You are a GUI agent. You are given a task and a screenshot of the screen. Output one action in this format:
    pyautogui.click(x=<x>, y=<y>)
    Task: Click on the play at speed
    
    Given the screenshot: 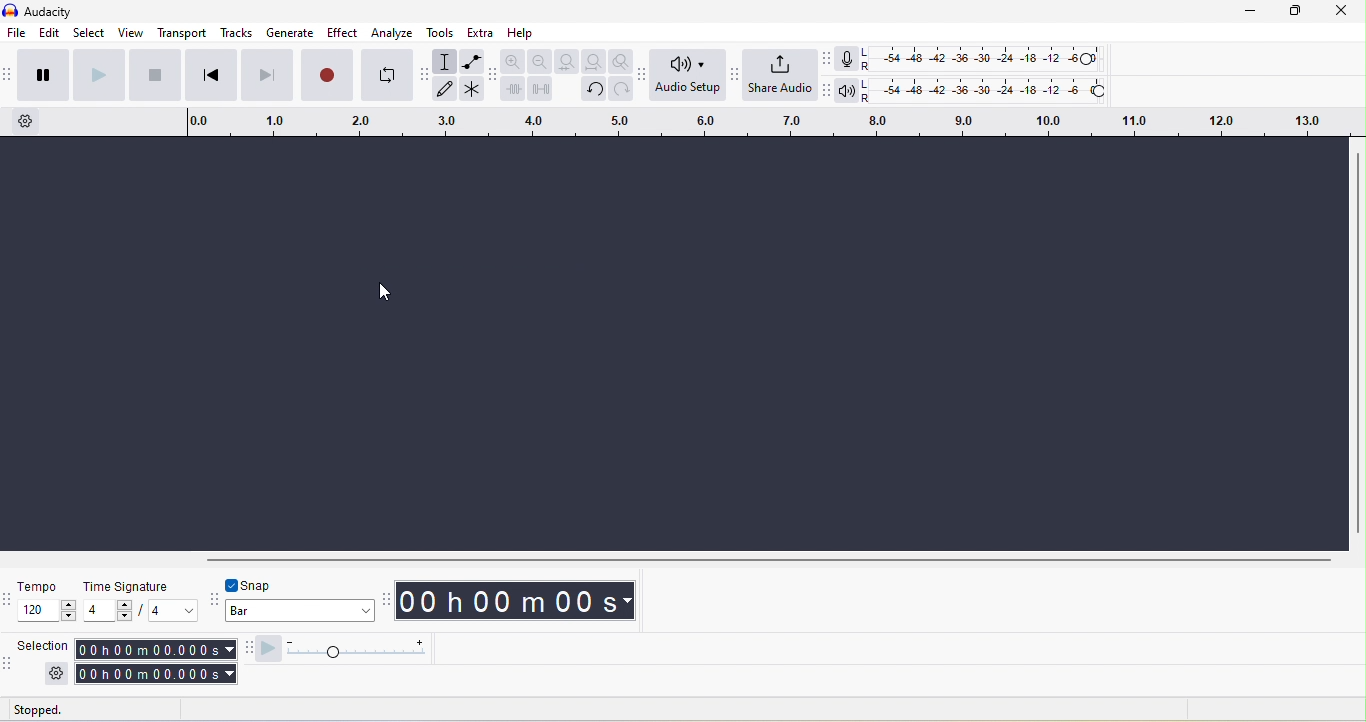 What is the action you would take?
    pyautogui.click(x=268, y=650)
    